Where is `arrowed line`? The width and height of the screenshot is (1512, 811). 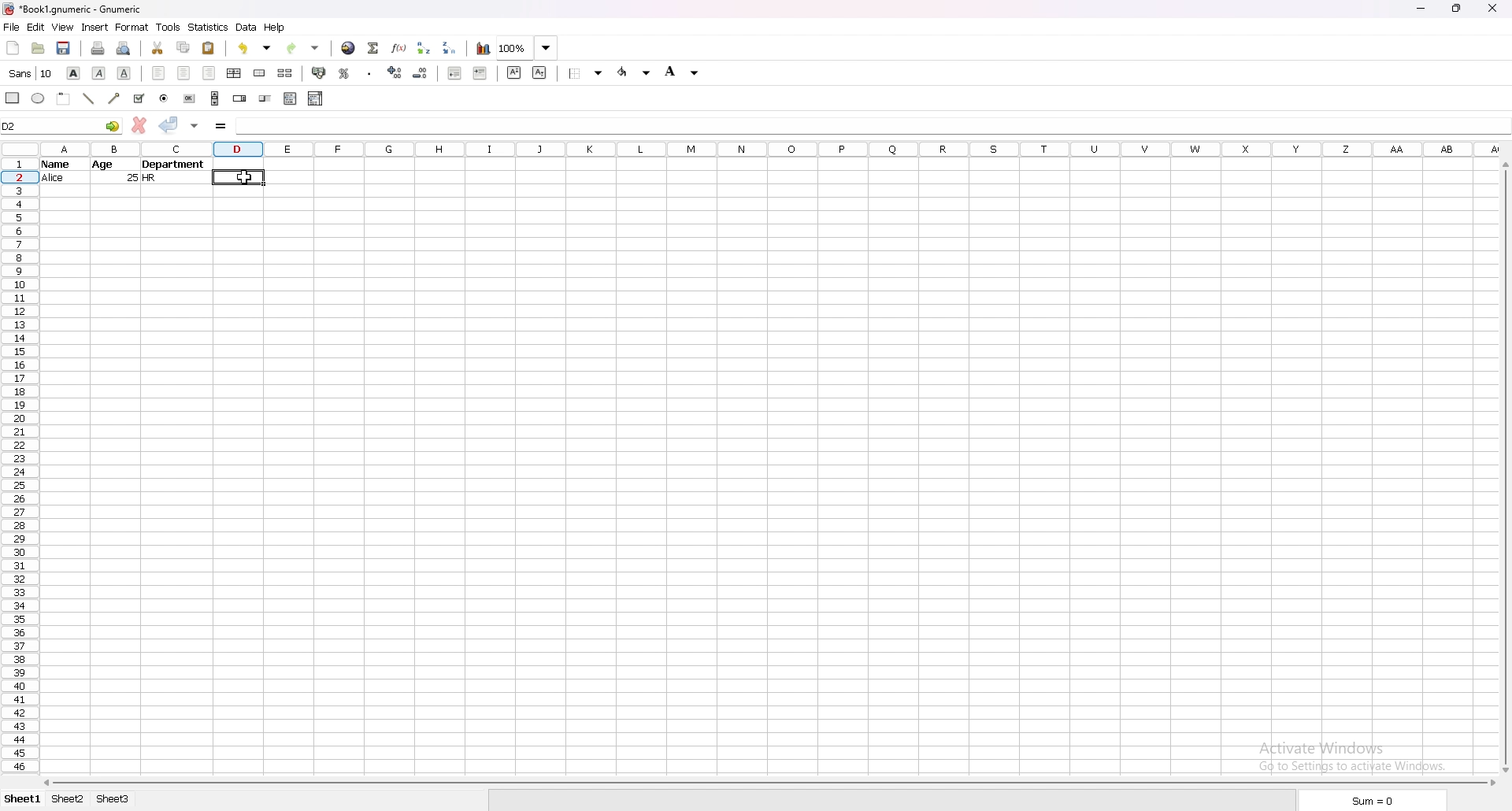 arrowed line is located at coordinates (116, 97).